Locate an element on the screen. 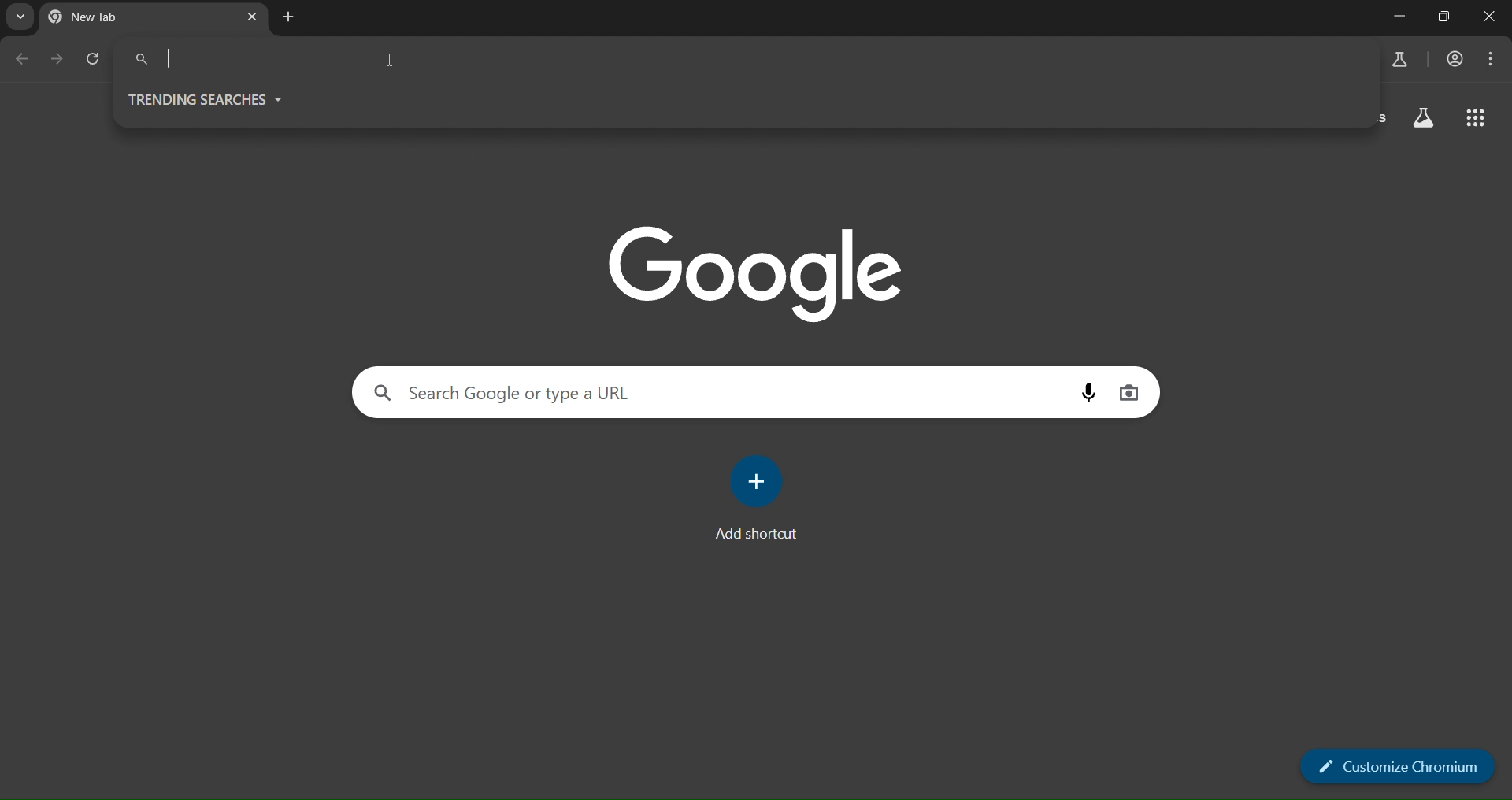 This screenshot has width=1512, height=800. accounts is located at coordinates (1402, 58).